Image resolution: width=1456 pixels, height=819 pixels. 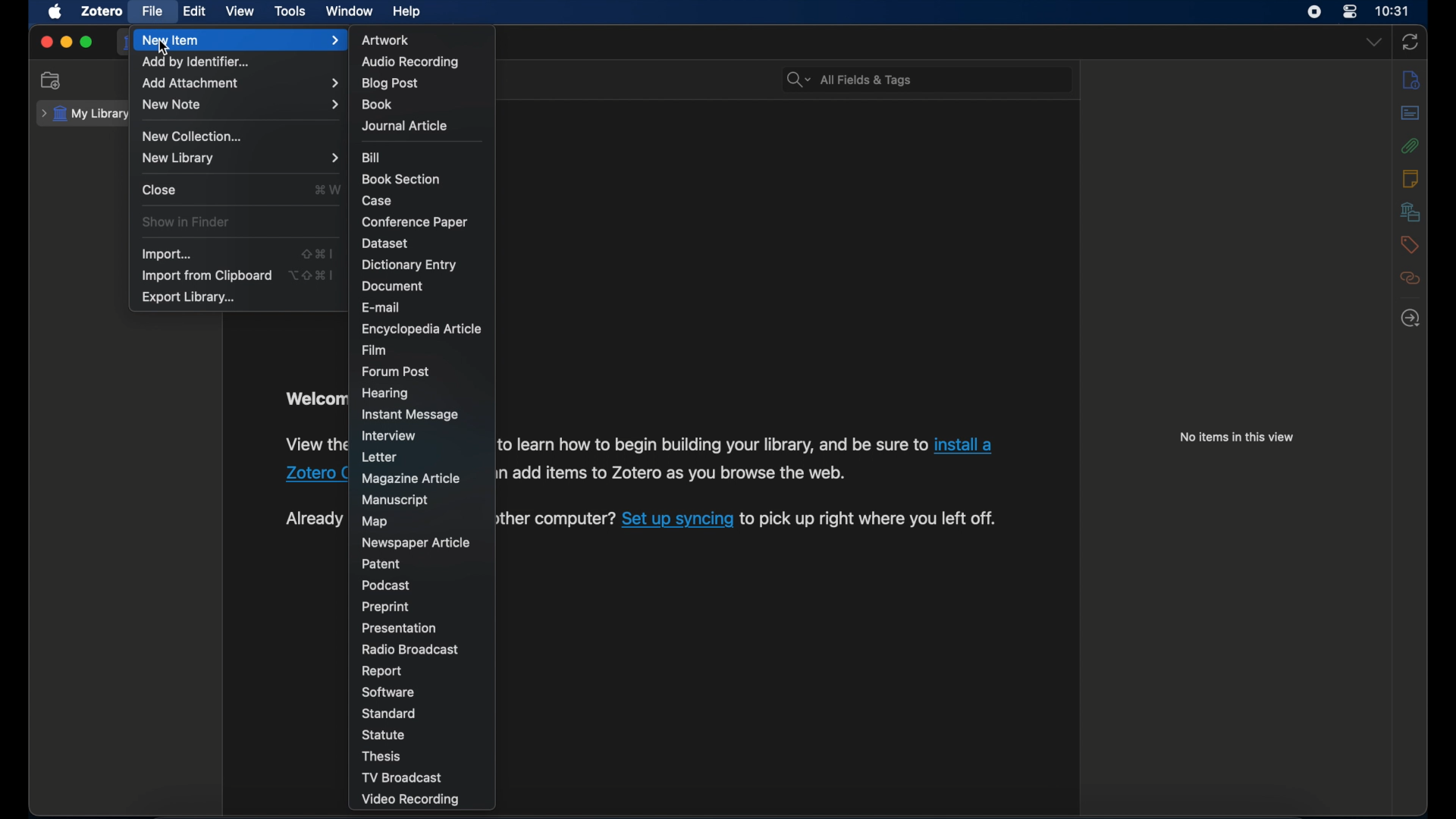 What do you see at coordinates (400, 628) in the screenshot?
I see `presentation` at bounding box center [400, 628].